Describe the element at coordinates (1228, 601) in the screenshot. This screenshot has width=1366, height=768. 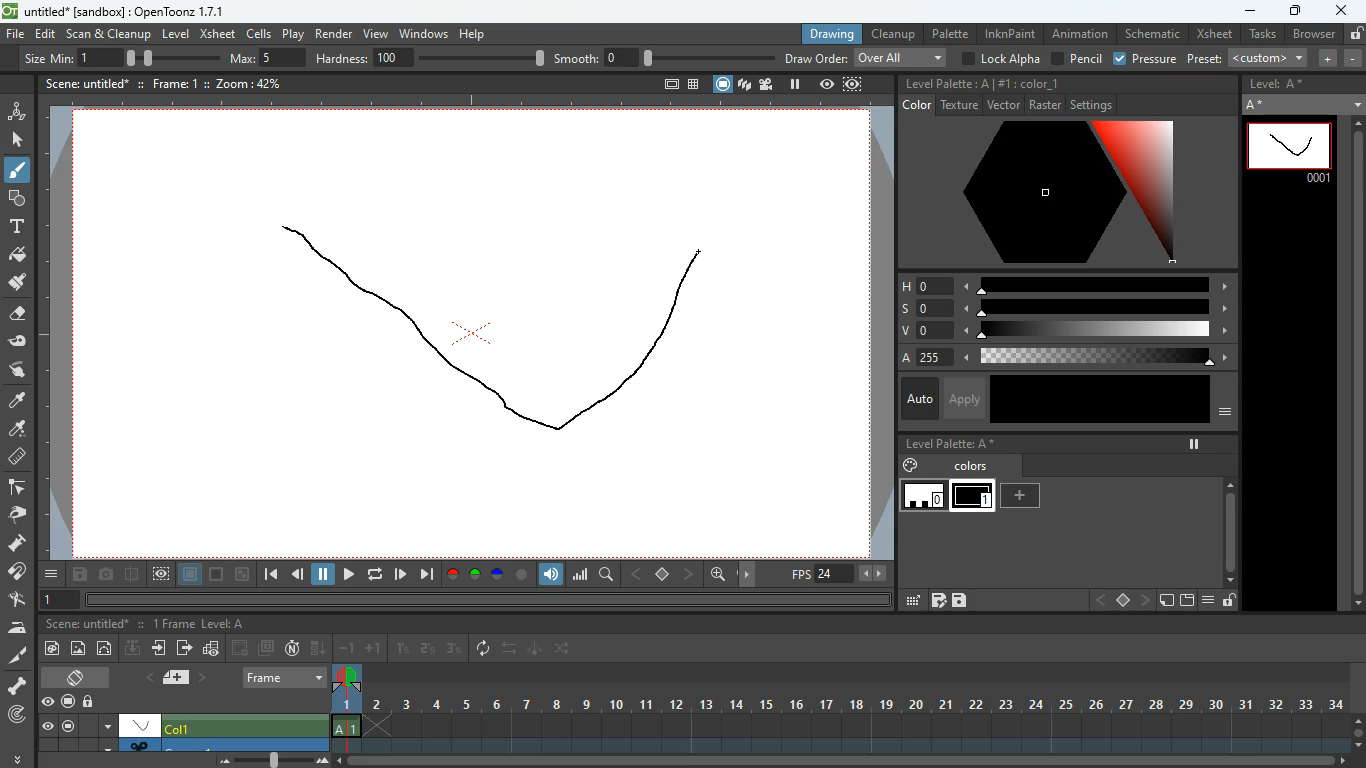
I see `unlock` at that location.